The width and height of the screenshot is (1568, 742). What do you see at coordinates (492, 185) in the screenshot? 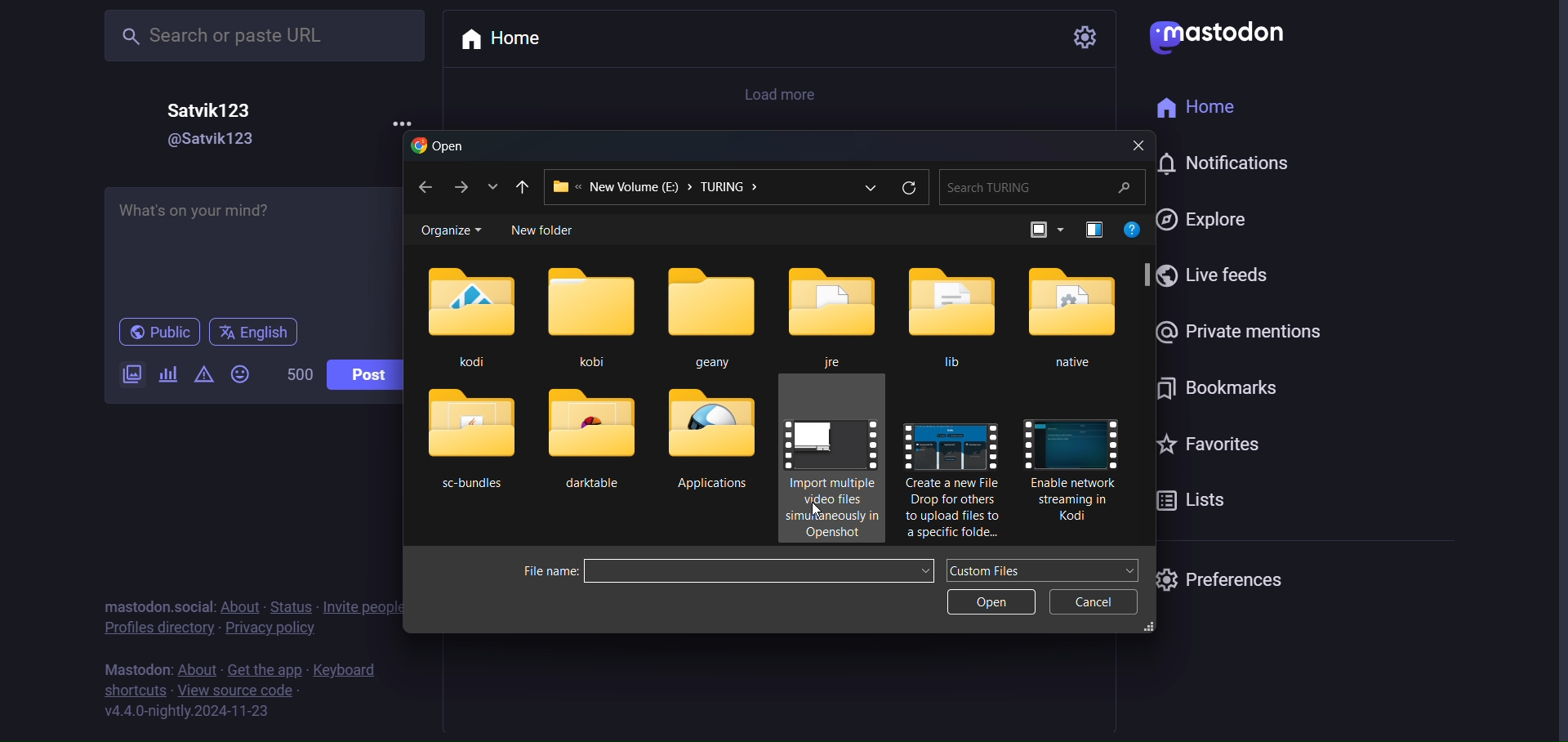
I see `list` at bounding box center [492, 185].